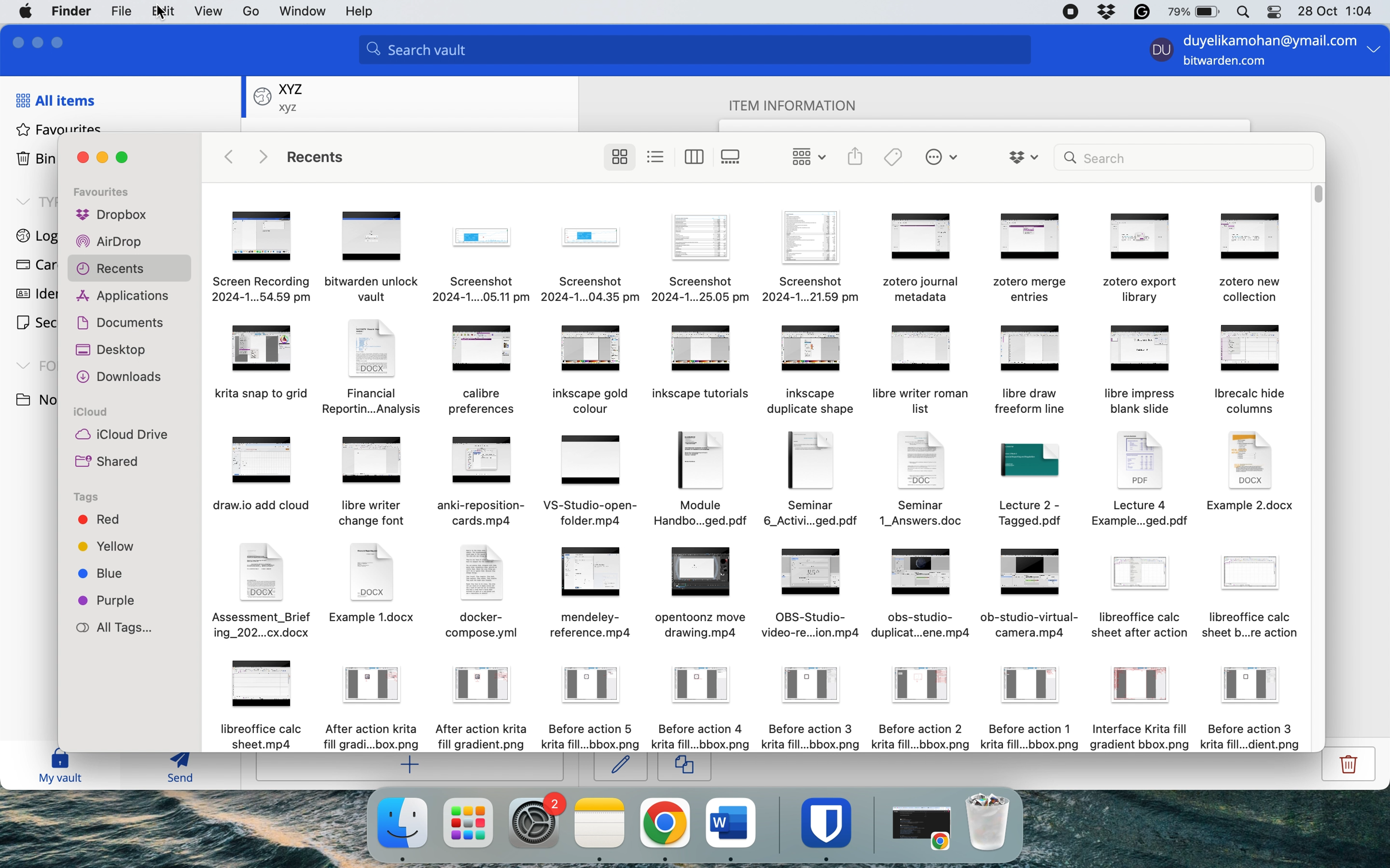 Image resolution: width=1390 pixels, height=868 pixels. Describe the element at coordinates (925, 828) in the screenshot. I see `open chrome application` at that location.